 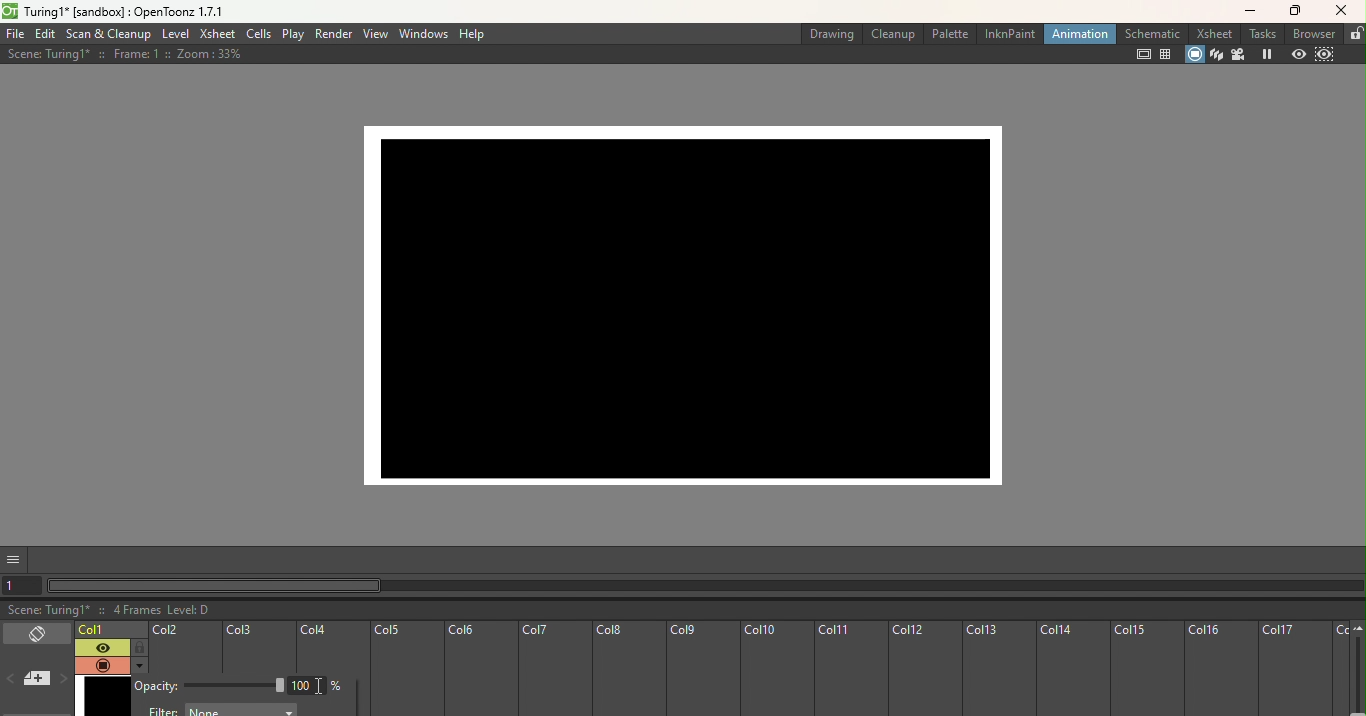 What do you see at coordinates (211, 686) in the screenshot?
I see `Opacity` at bounding box center [211, 686].